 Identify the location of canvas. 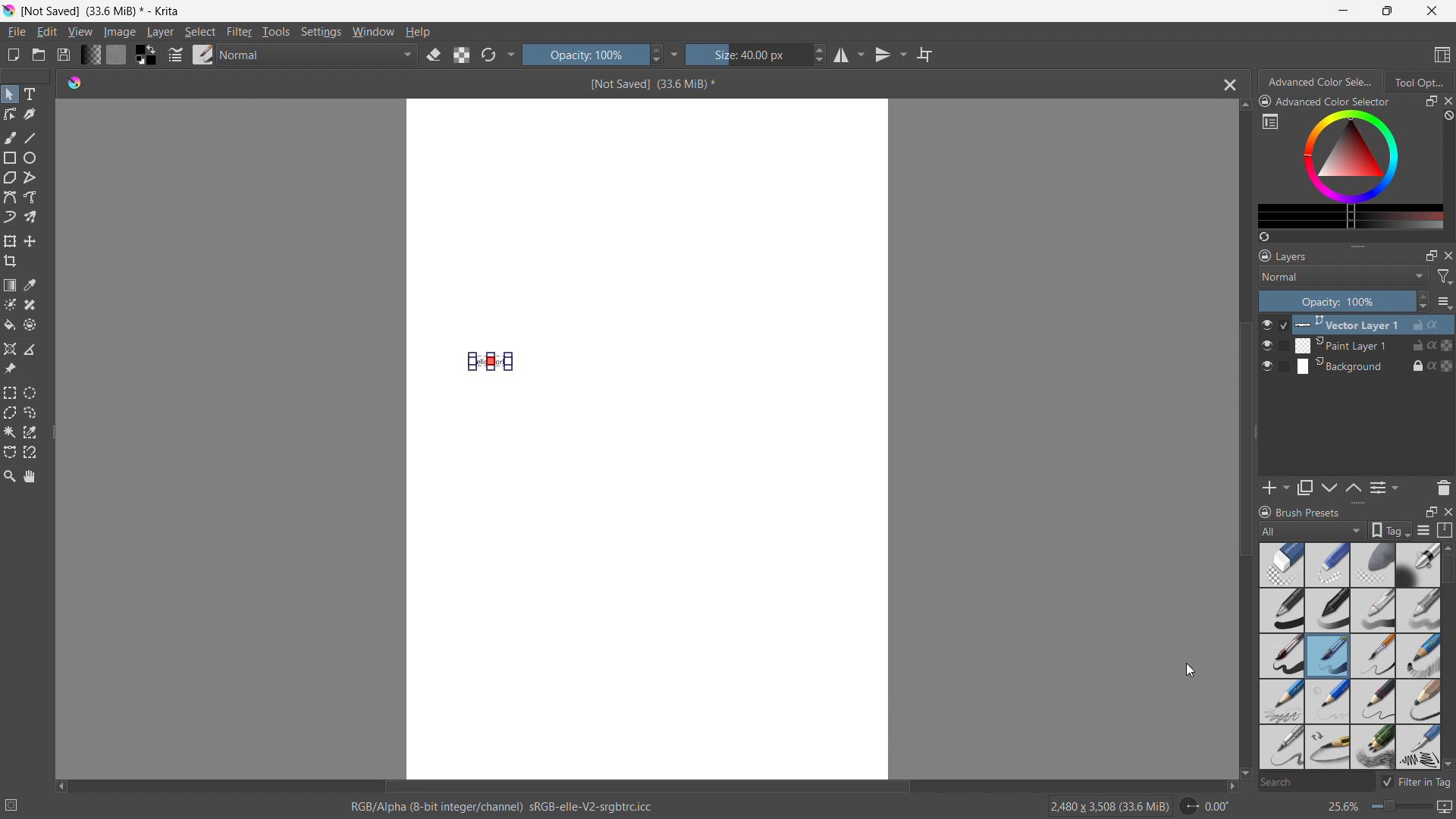
(648, 221).